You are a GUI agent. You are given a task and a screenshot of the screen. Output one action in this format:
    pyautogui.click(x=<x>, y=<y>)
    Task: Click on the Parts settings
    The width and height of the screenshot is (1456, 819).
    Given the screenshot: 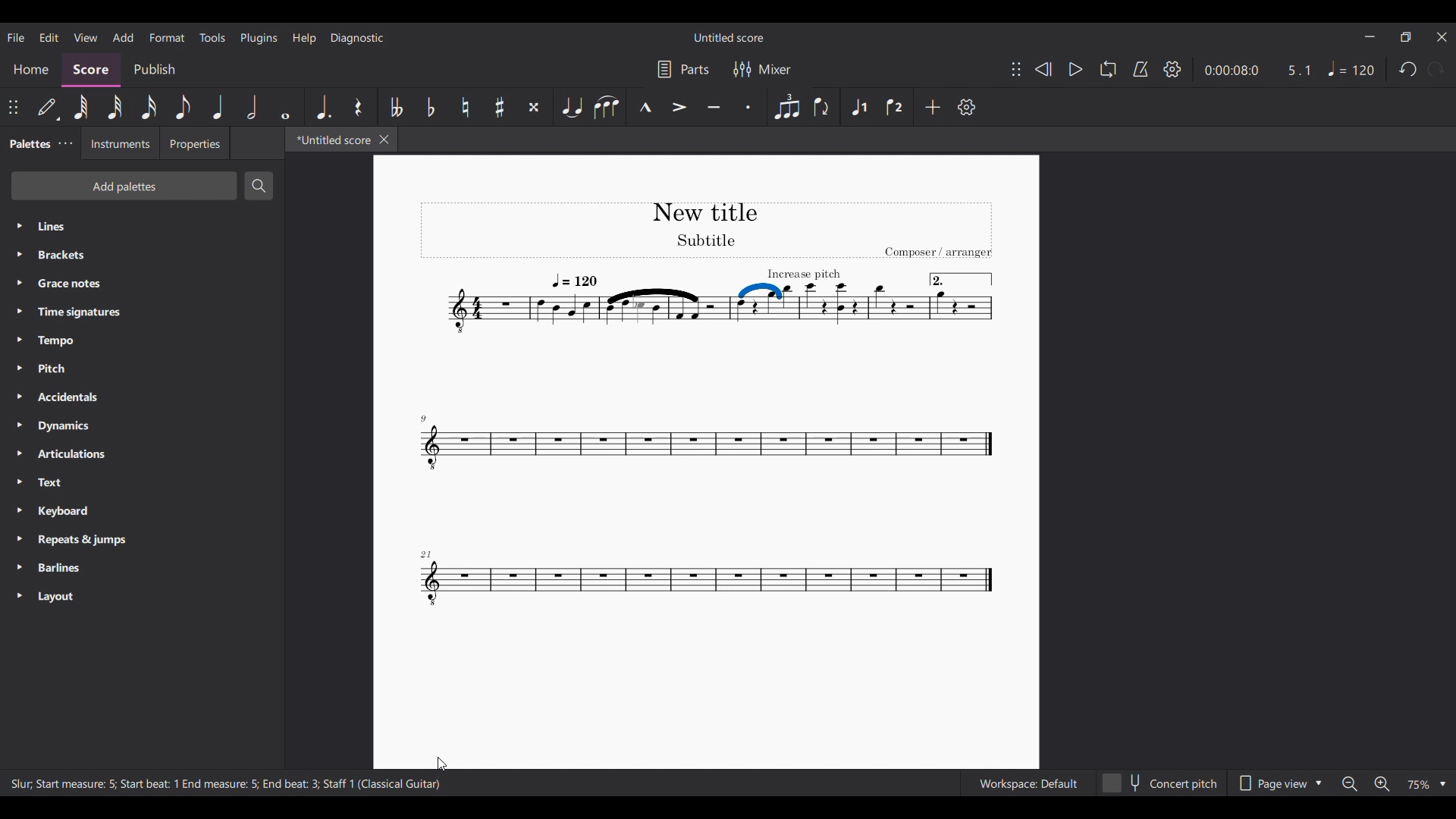 What is the action you would take?
    pyautogui.click(x=683, y=69)
    